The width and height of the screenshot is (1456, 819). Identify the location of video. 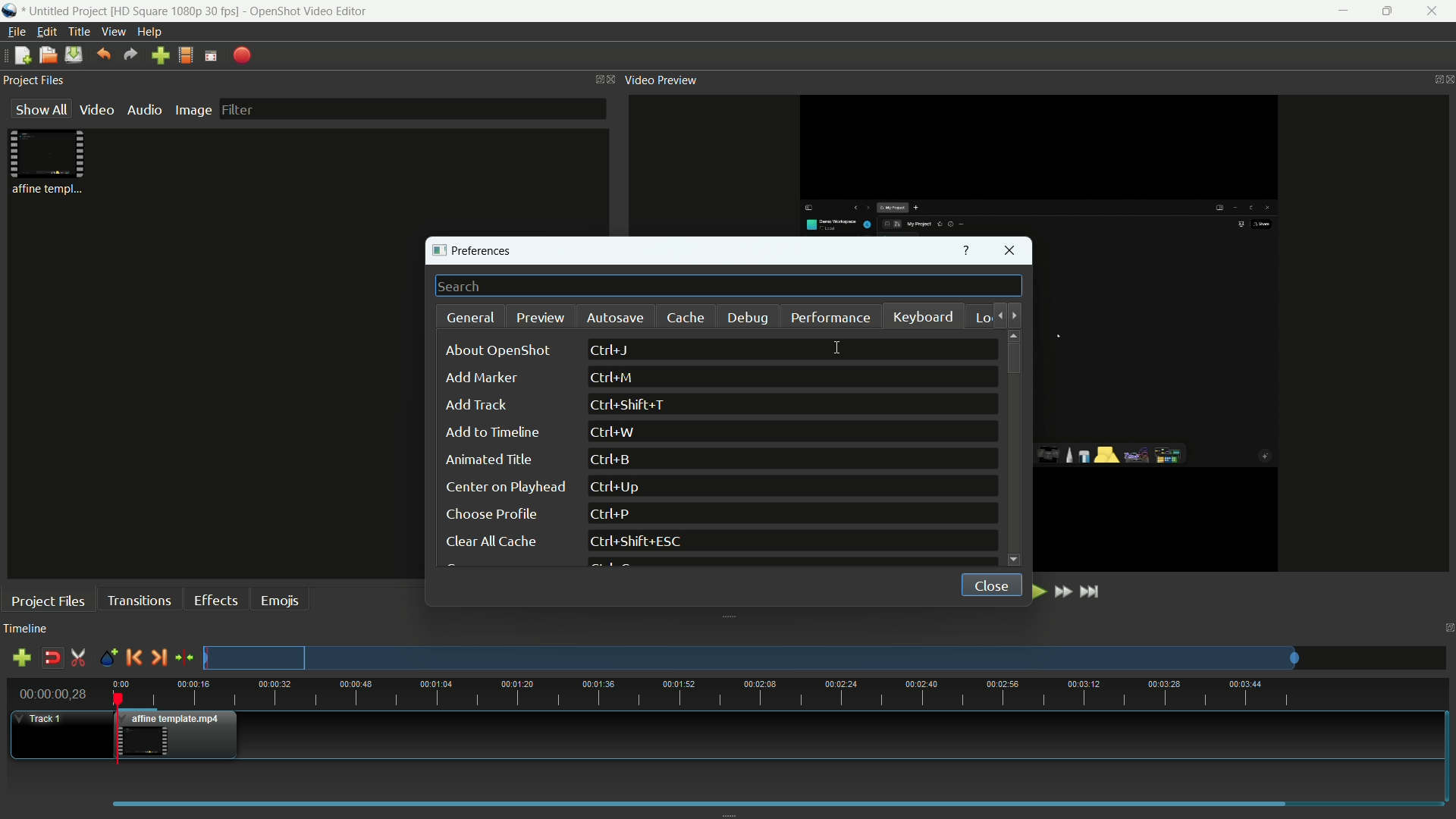
(96, 110).